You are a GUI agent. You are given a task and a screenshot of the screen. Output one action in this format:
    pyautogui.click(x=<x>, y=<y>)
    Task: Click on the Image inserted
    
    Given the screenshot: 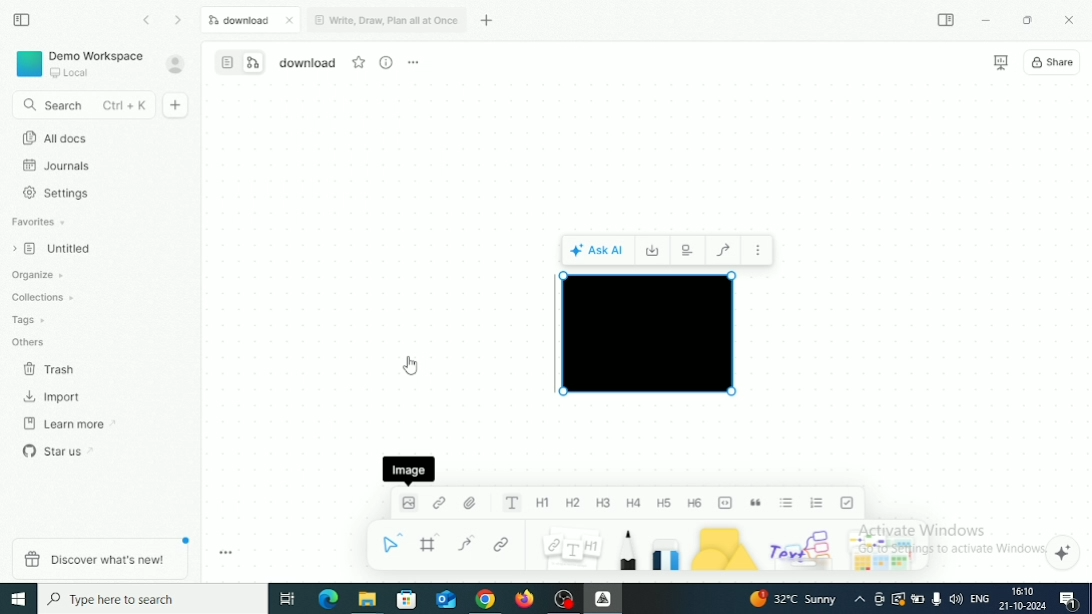 What is the action you would take?
    pyautogui.click(x=648, y=333)
    